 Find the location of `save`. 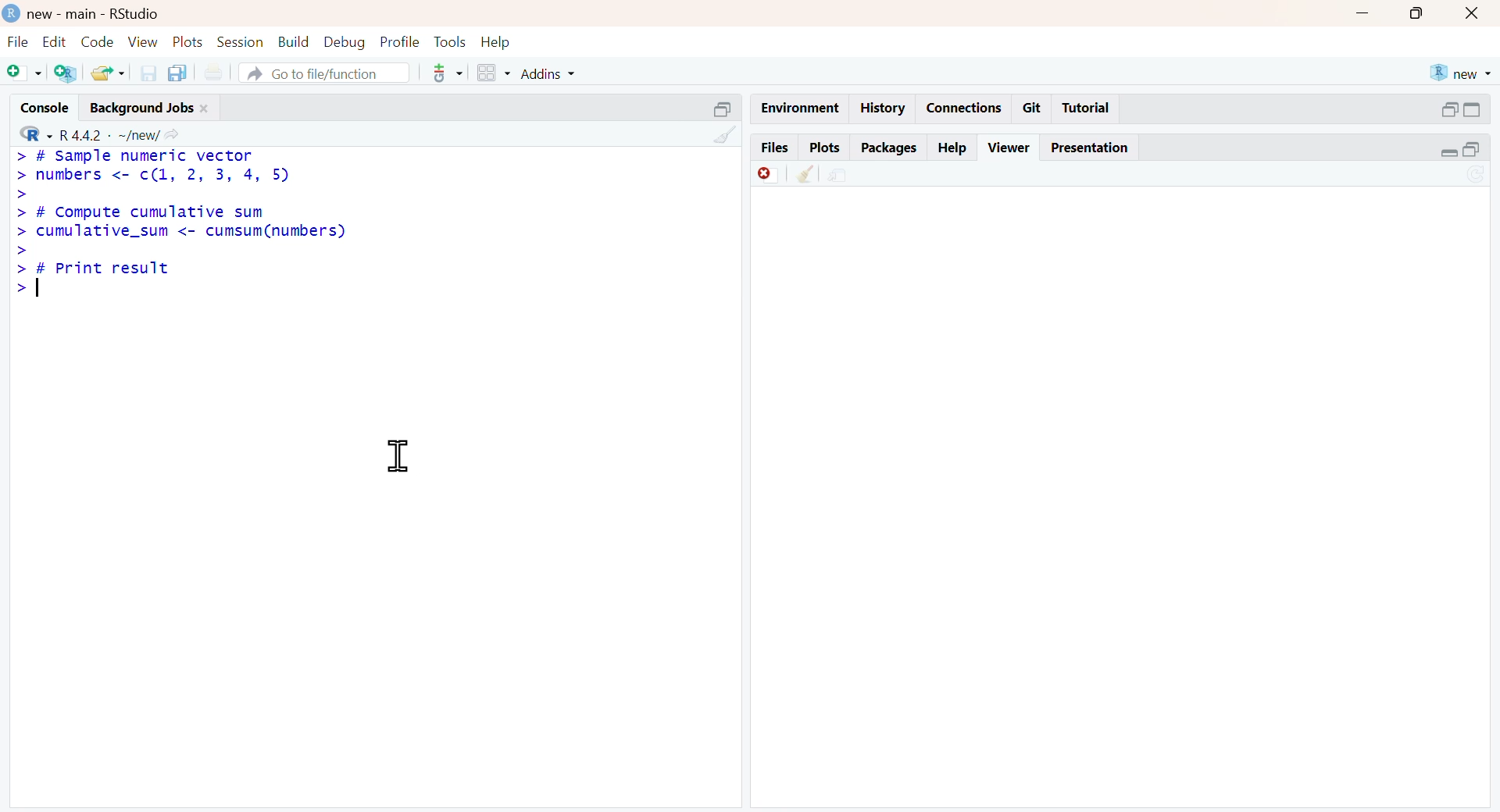

save is located at coordinates (149, 73).